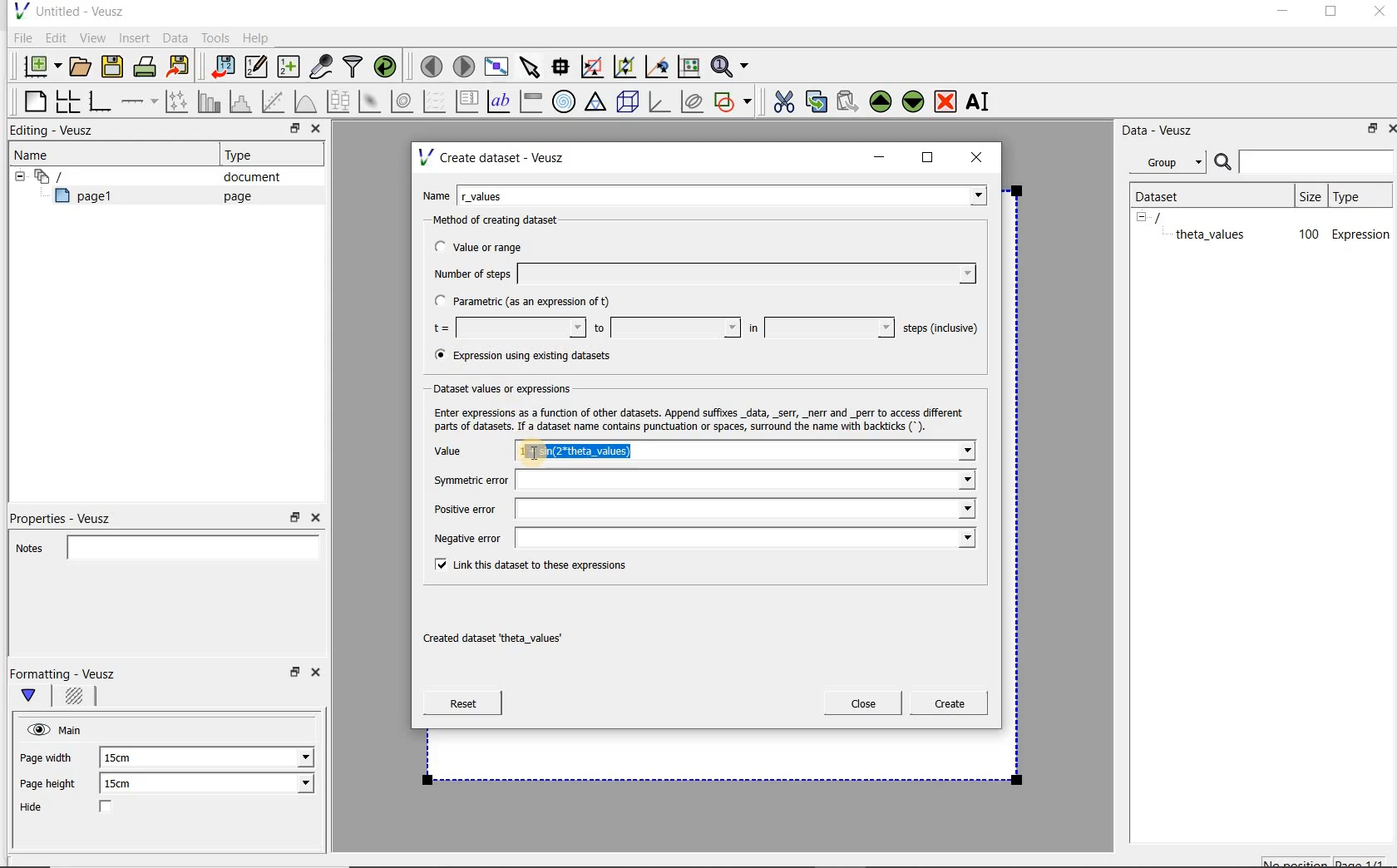 The width and height of the screenshot is (1397, 868). What do you see at coordinates (1361, 234) in the screenshot?
I see `Expression` at bounding box center [1361, 234].